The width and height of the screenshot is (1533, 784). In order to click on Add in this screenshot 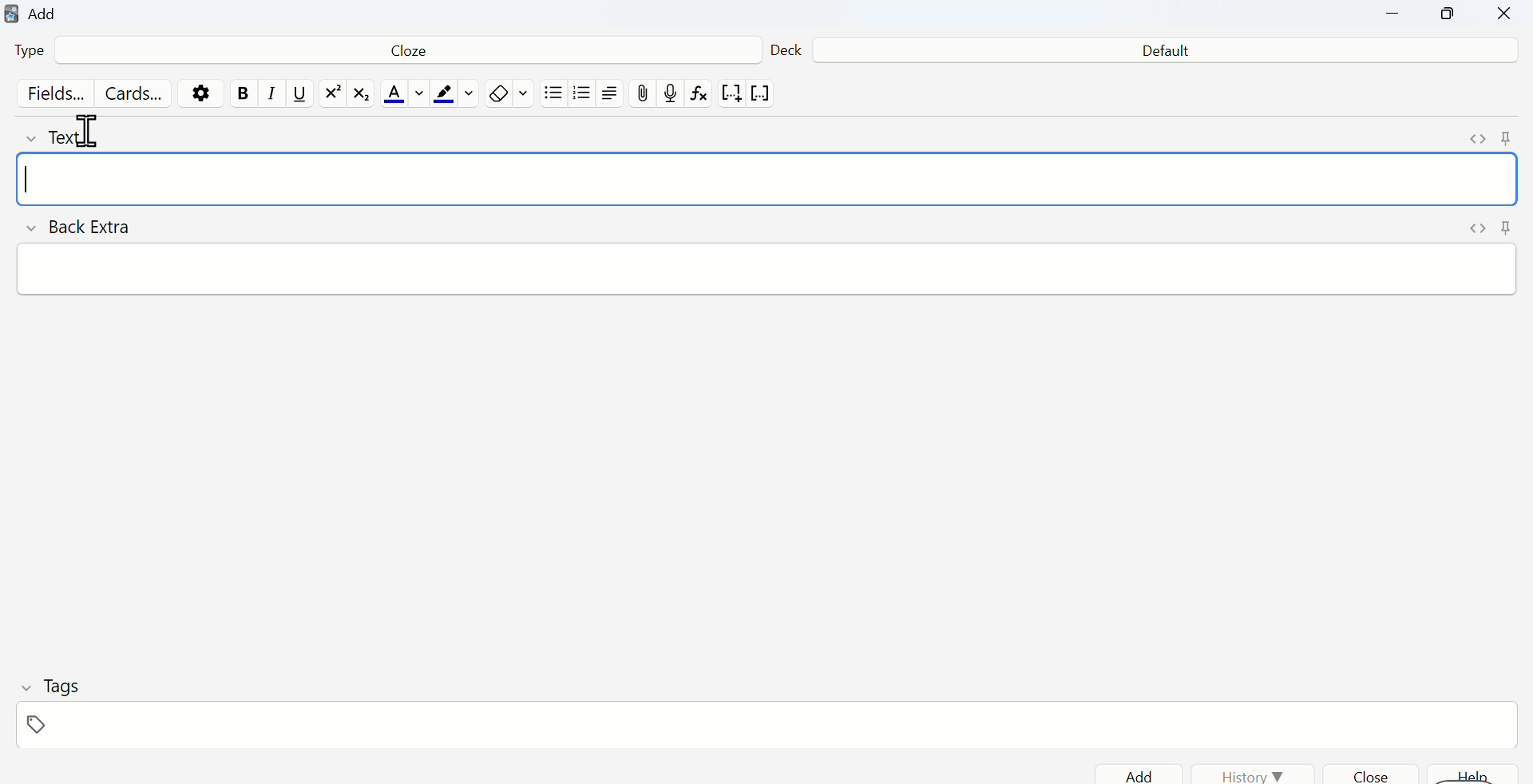, I will do `click(1146, 774)`.